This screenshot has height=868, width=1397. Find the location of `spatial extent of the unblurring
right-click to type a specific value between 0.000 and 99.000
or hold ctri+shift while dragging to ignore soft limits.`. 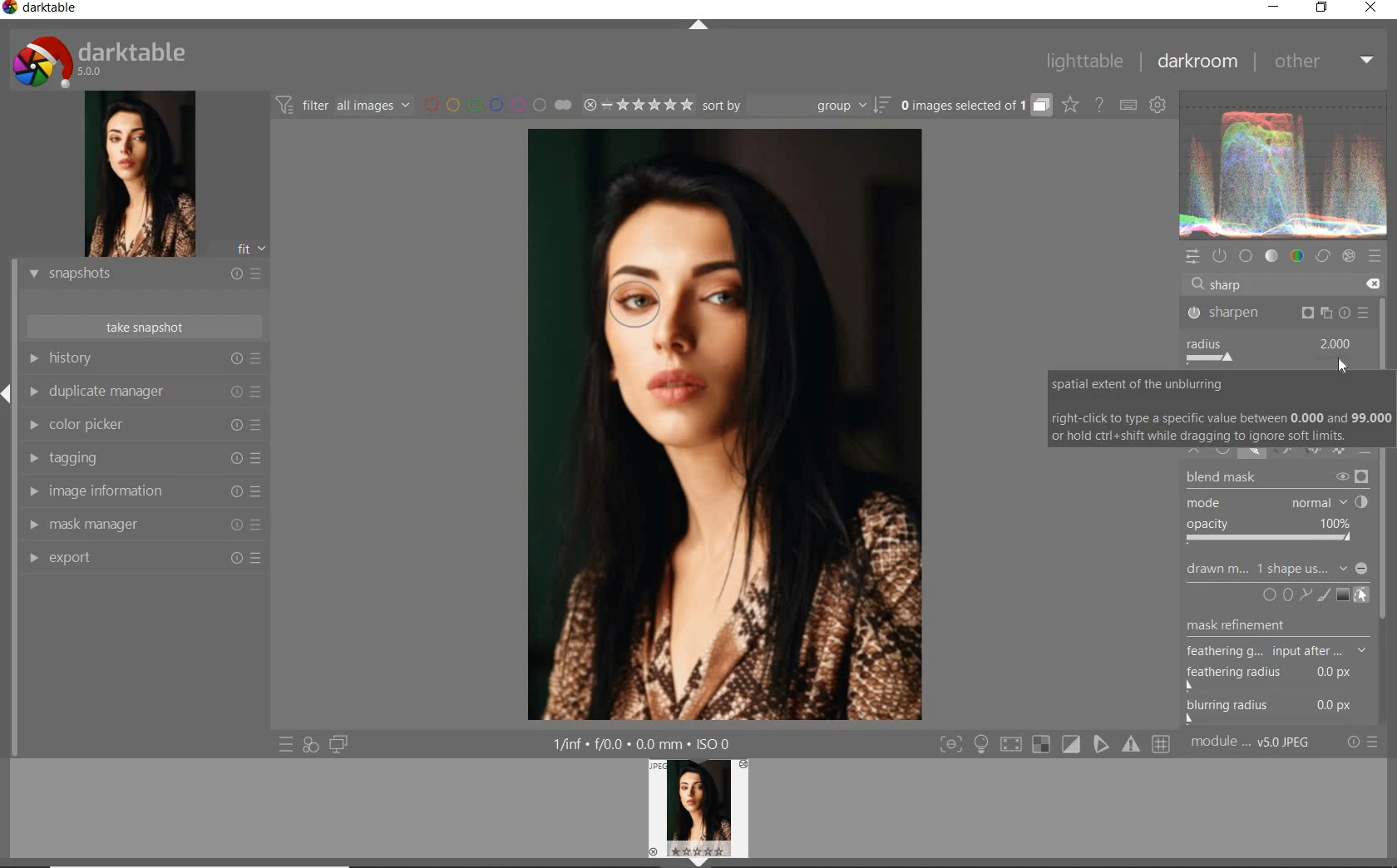

spatial extent of the unblurring
right-click to type a specific value between 0.000 and 99.000
or hold ctri+shift while dragging to ignore soft limits. is located at coordinates (1218, 409).